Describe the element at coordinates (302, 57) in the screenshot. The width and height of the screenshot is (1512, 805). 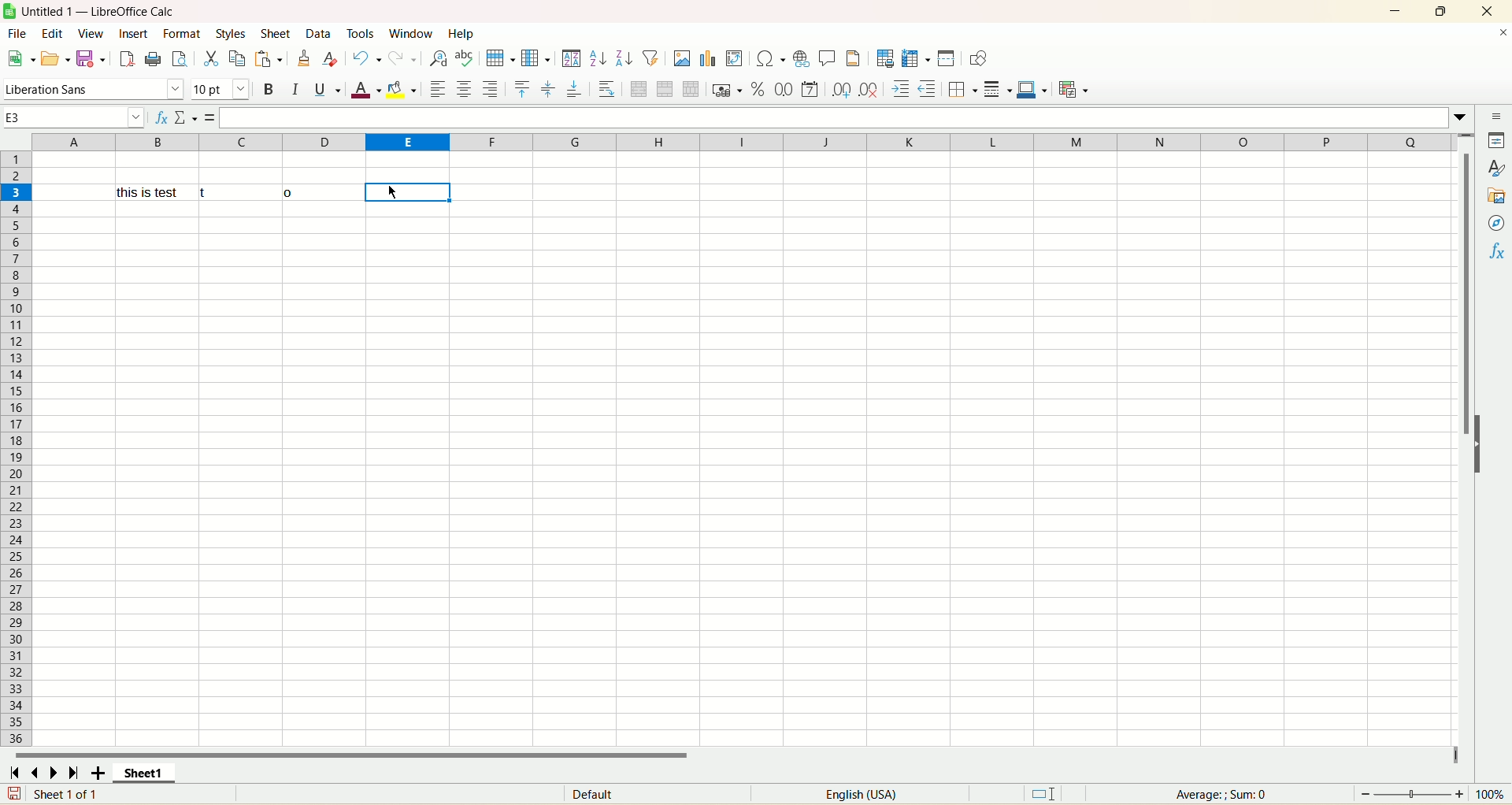
I see `clone formatting` at that location.